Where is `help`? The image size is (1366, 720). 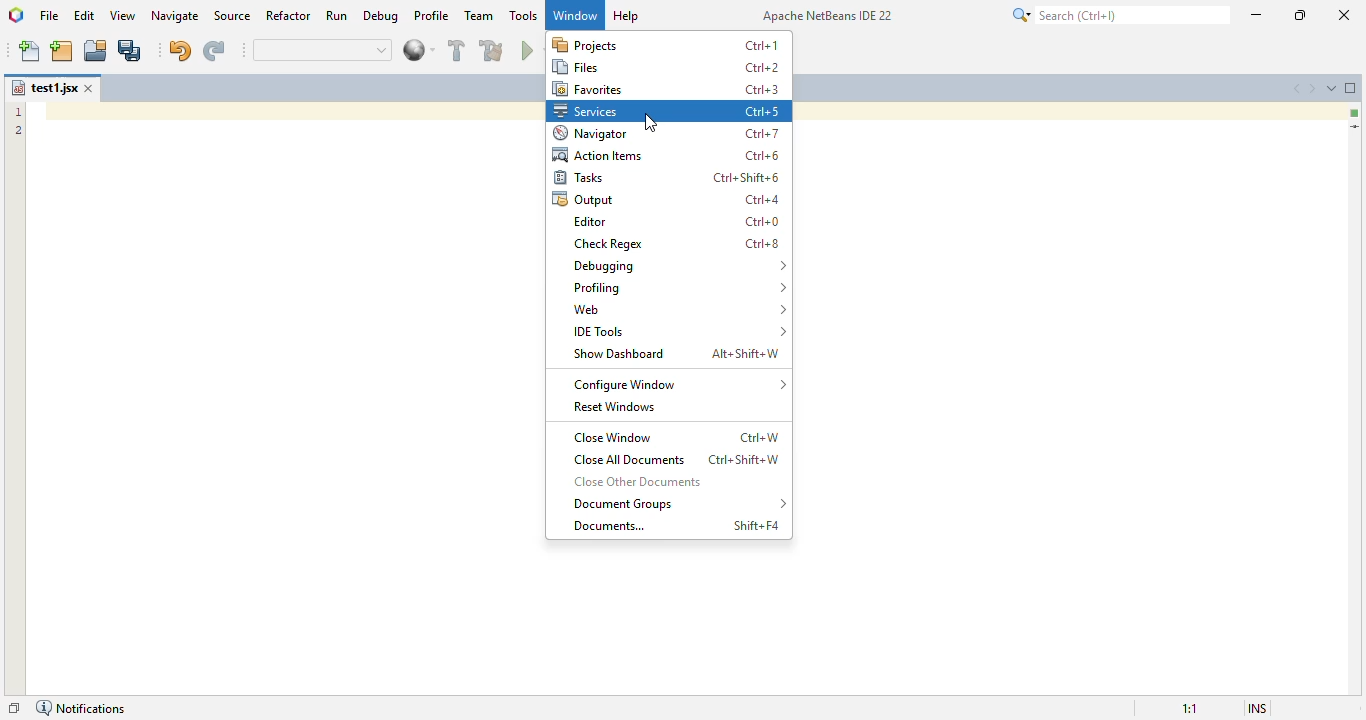
help is located at coordinates (626, 16).